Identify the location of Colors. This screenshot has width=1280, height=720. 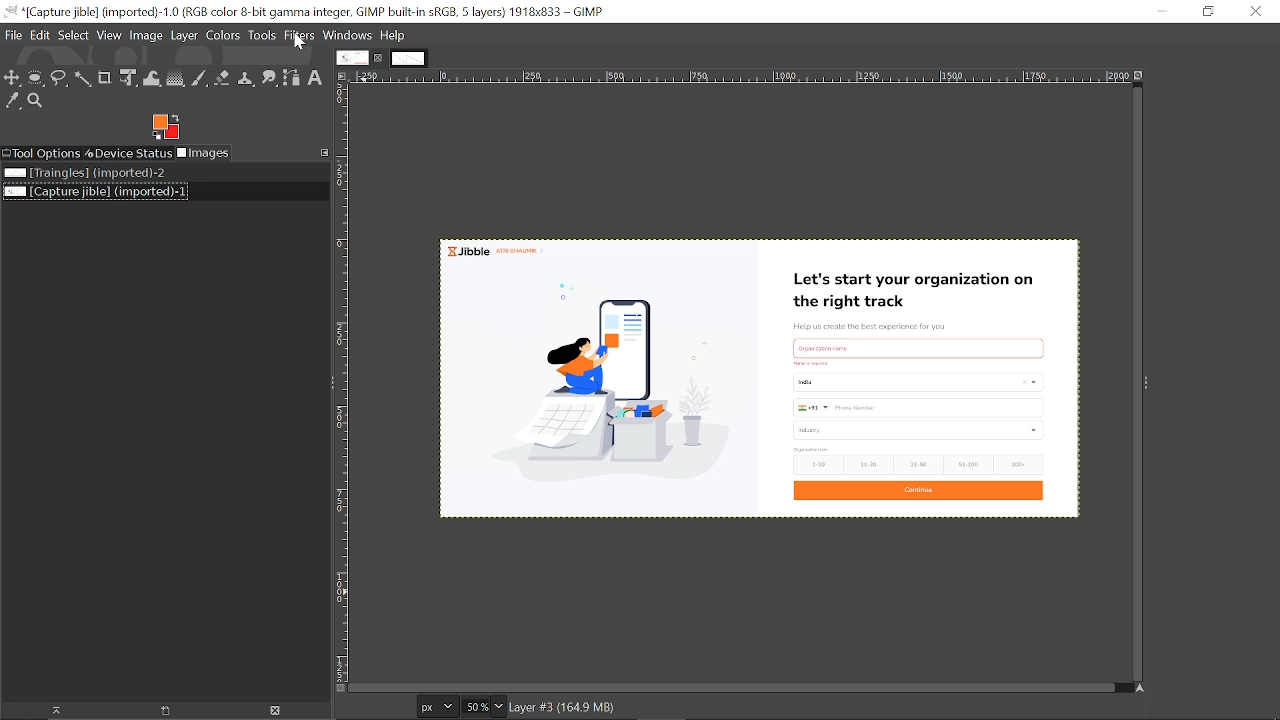
(222, 35).